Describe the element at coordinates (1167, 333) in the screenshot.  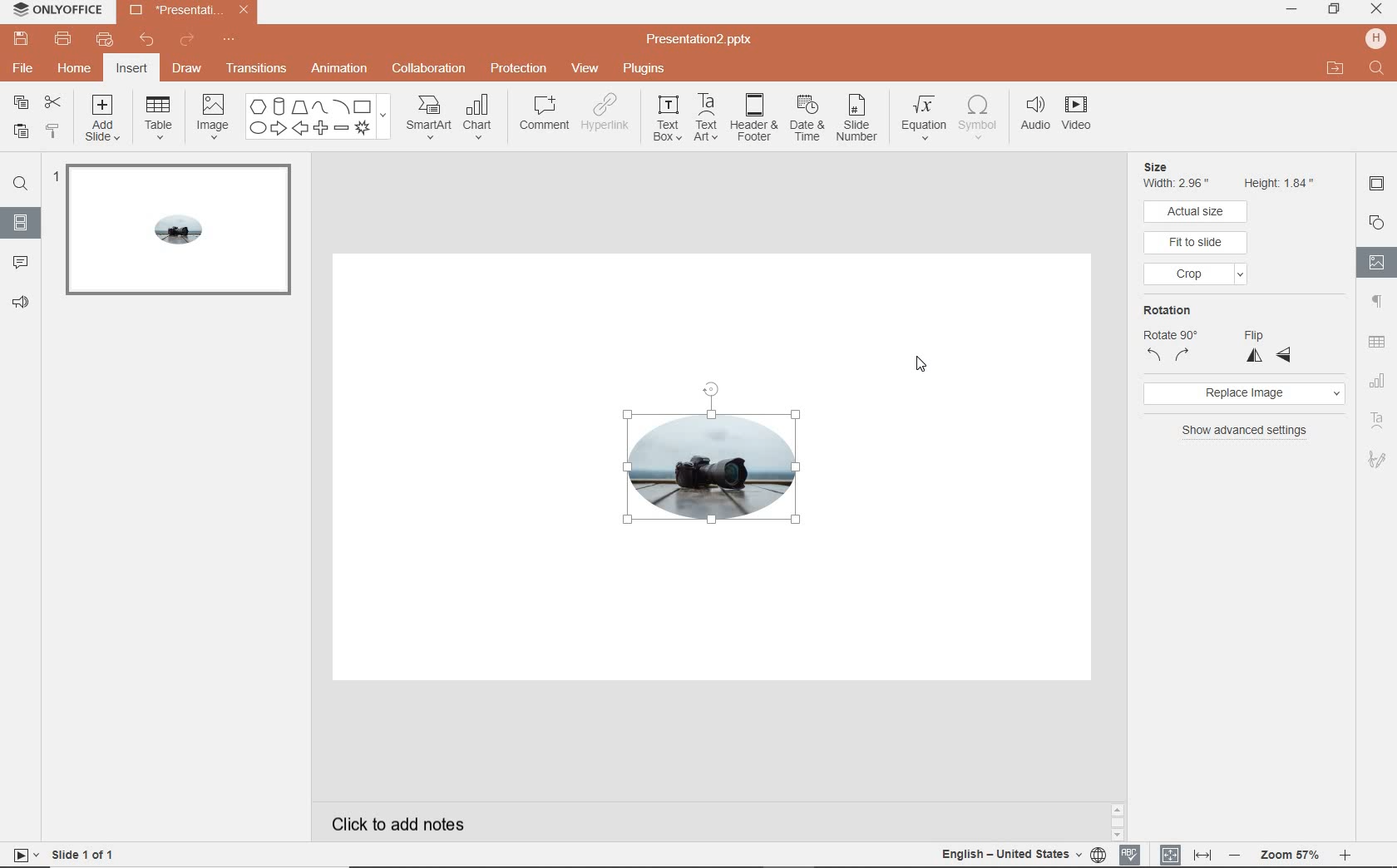
I see `rotation` at that location.